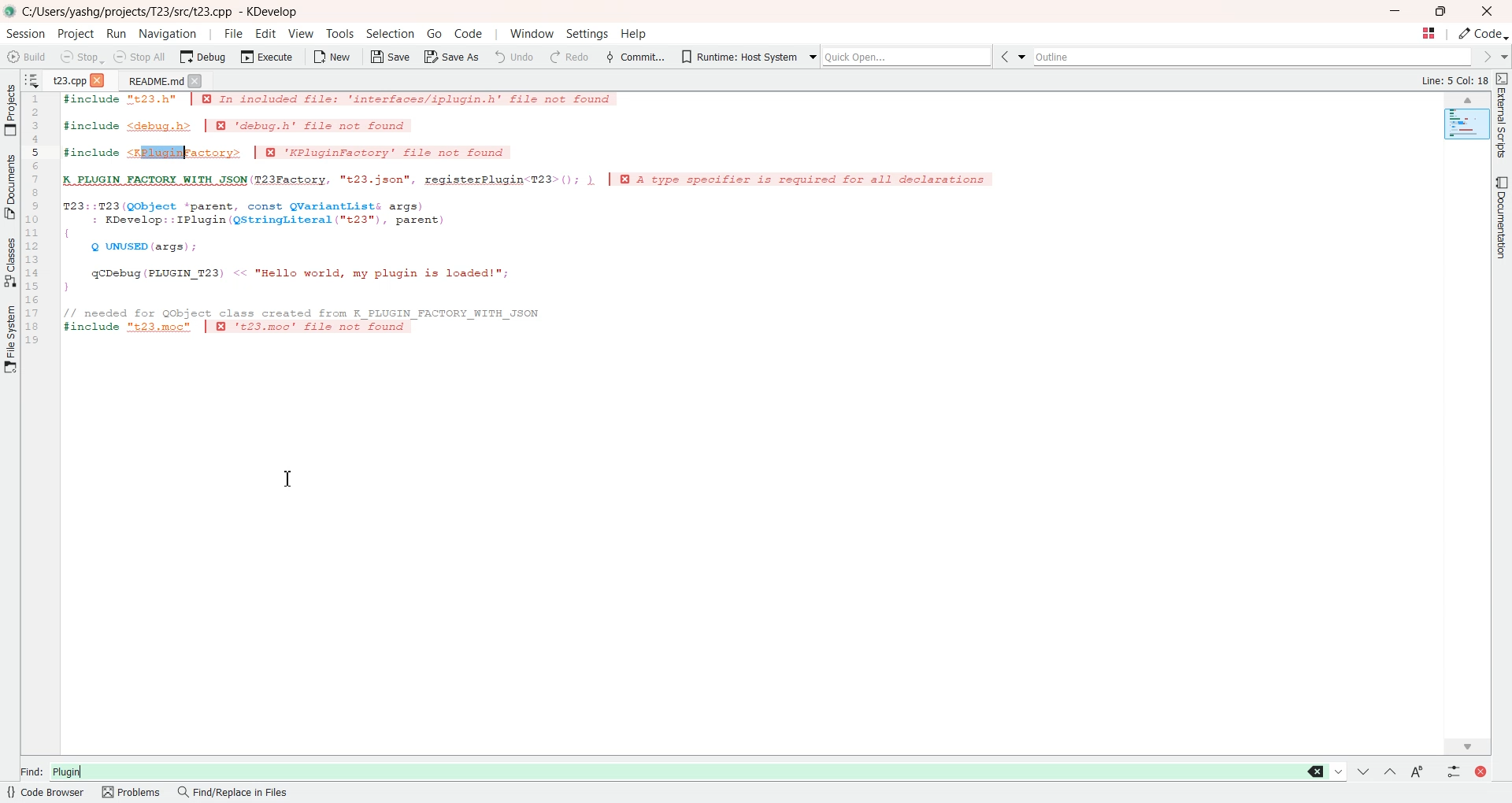 Image resolution: width=1512 pixels, height=803 pixels. What do you see at coordinates (633, 35) in the screenshot?
I see `help` at bounding box center [633, 35].